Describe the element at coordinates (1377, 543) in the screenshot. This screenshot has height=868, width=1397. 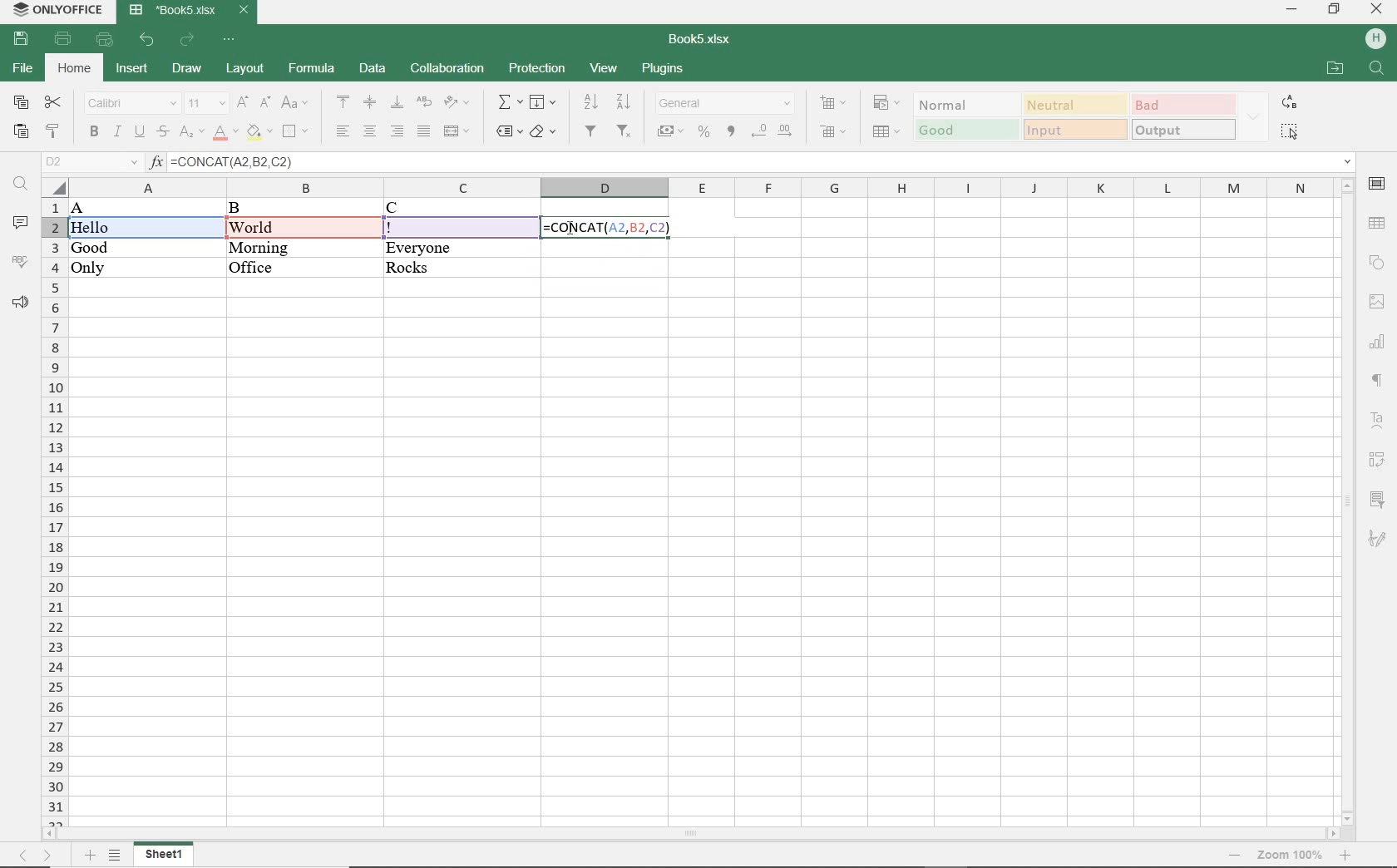
I see `` at that location.